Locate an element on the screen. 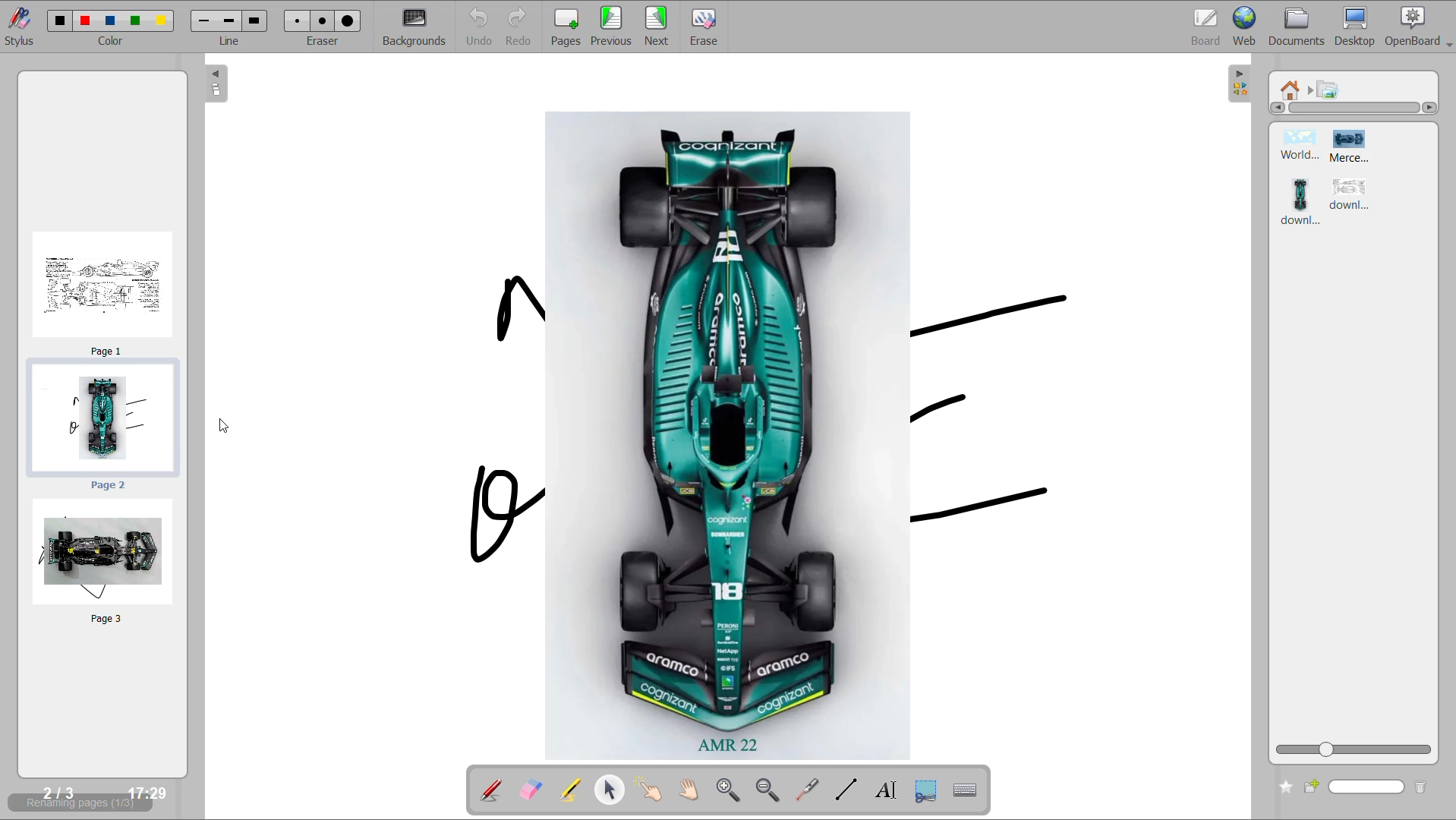 Image resolution: width=1456 pixels, height=820 pixels. pictures is located at coordinates (1330, 90).